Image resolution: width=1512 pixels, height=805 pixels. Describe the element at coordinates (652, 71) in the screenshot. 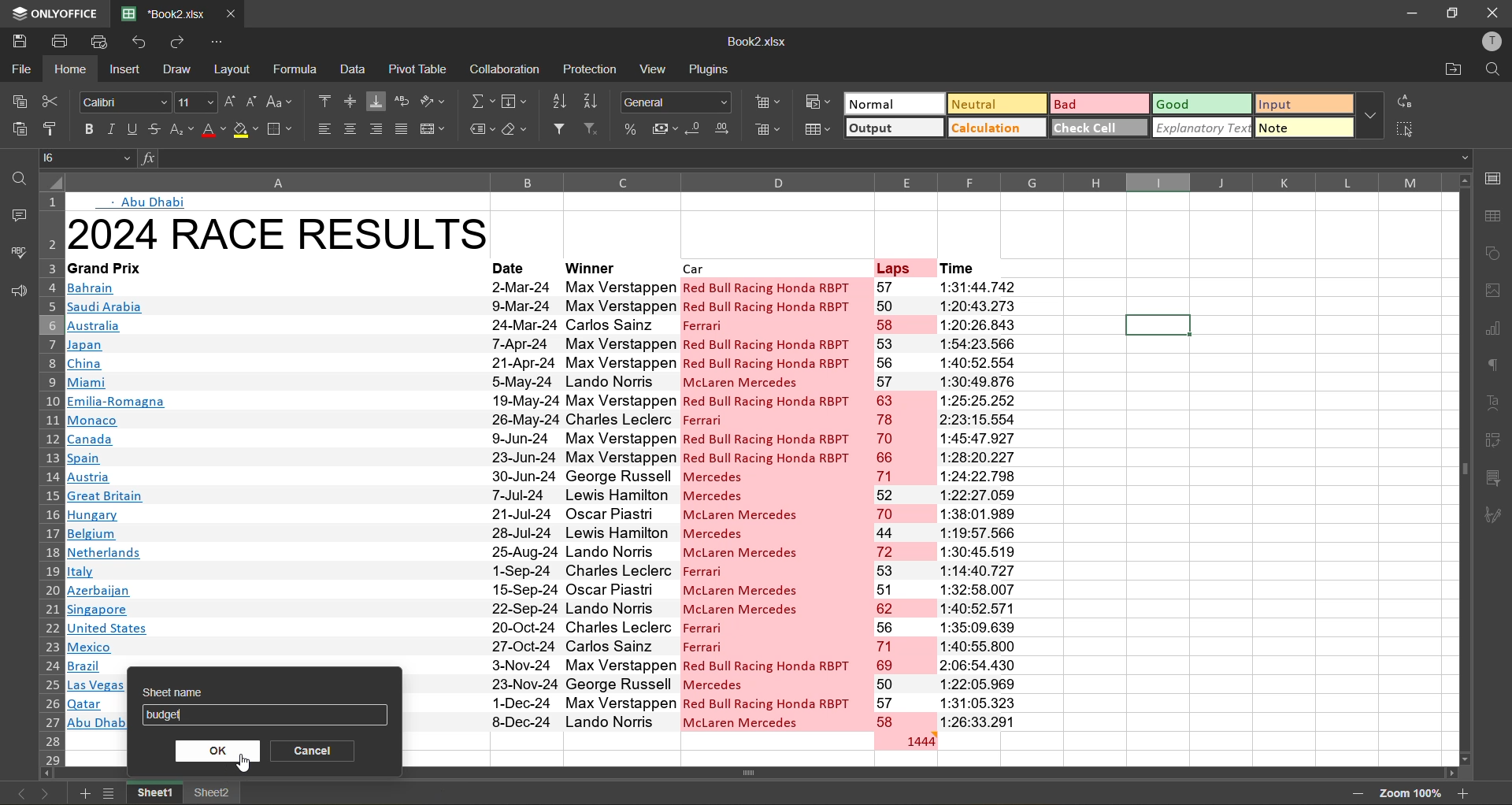

I see `view` at that location.